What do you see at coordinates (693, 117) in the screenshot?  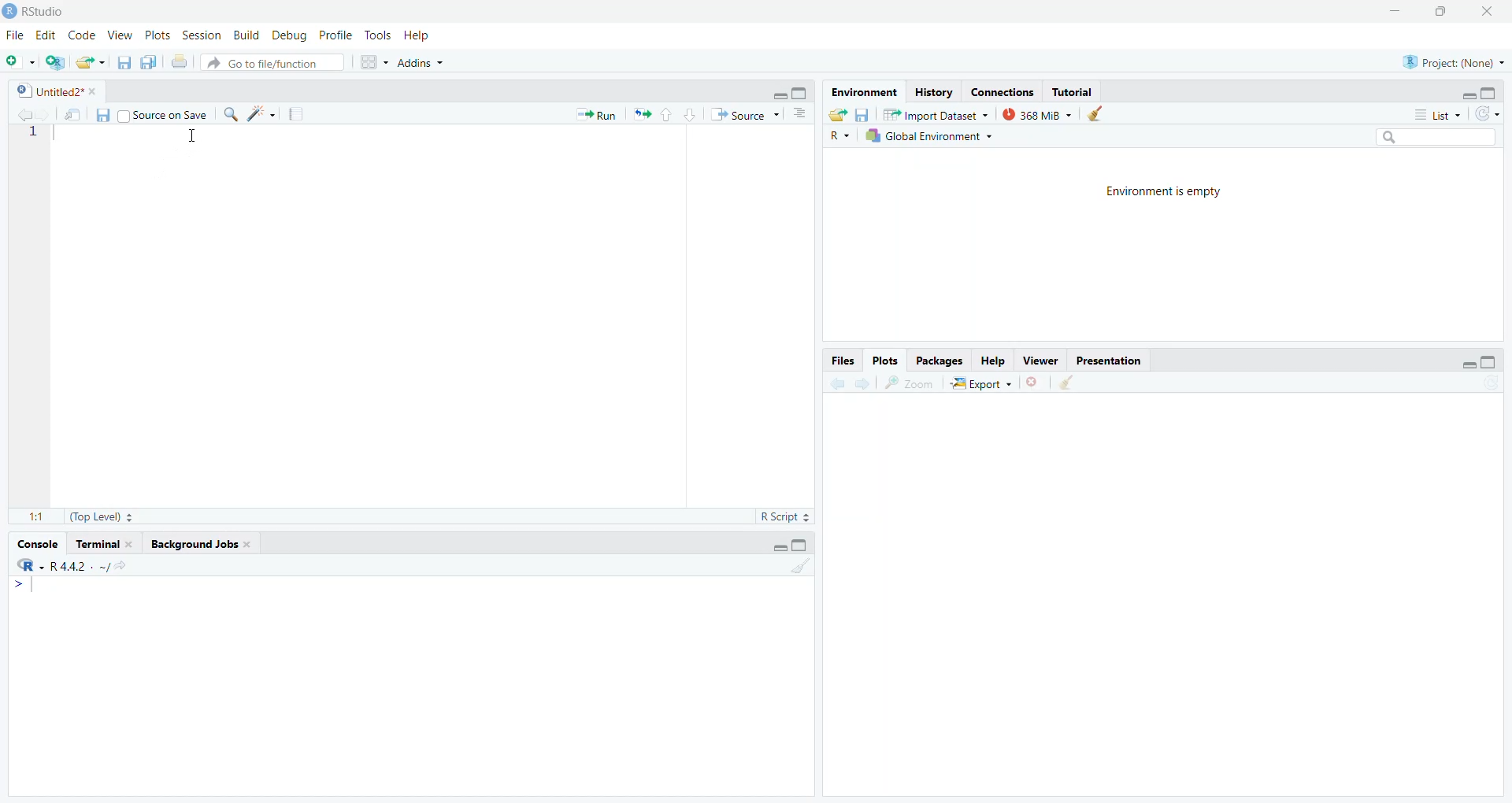 I see `downward` at bounding box center [693, 117].